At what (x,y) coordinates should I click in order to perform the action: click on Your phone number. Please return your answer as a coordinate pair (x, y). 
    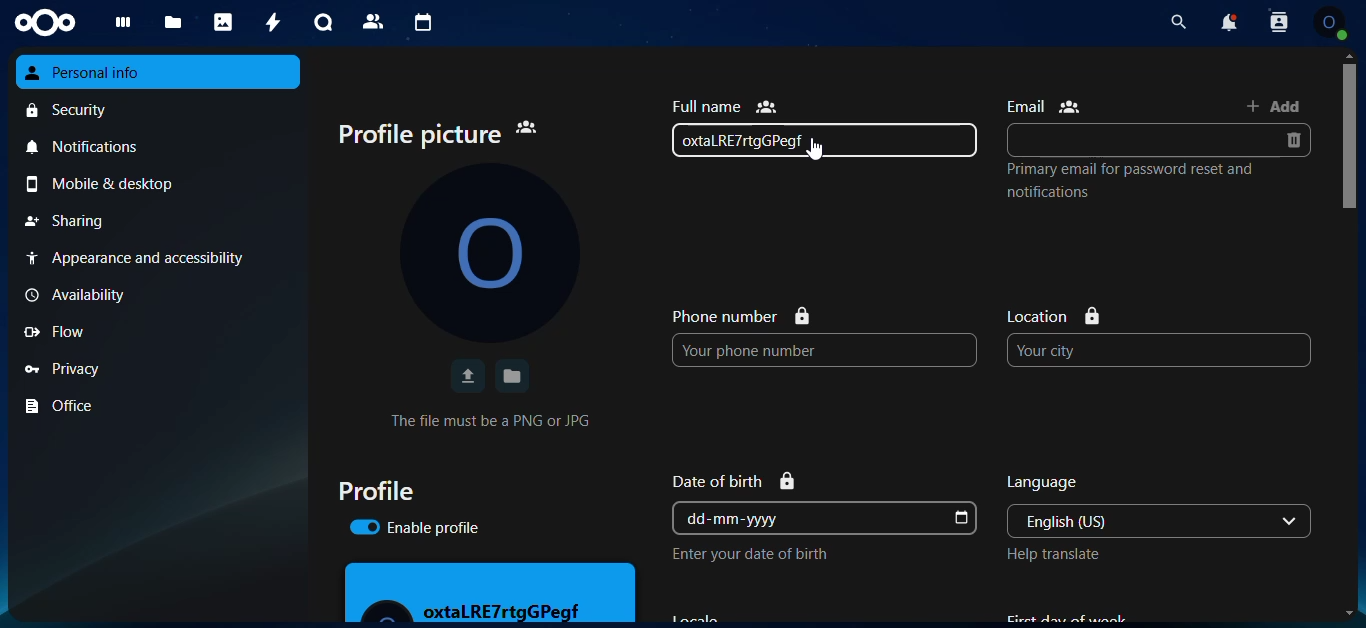
    Looking at the image, I should click on (825, 350).